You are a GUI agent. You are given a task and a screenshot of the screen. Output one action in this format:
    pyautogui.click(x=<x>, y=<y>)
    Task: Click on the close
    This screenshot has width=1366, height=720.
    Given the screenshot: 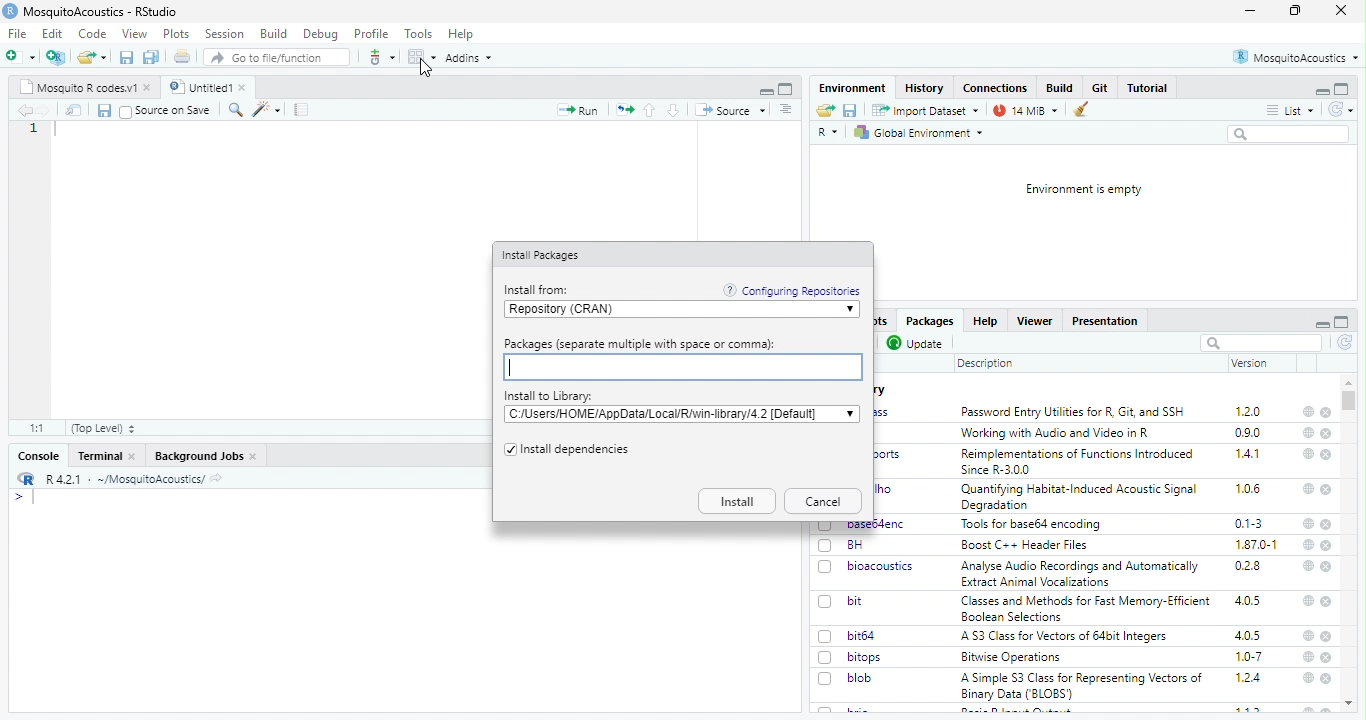 What is the action you would take?
    pyautogui.click(x=1326, y=455)
    